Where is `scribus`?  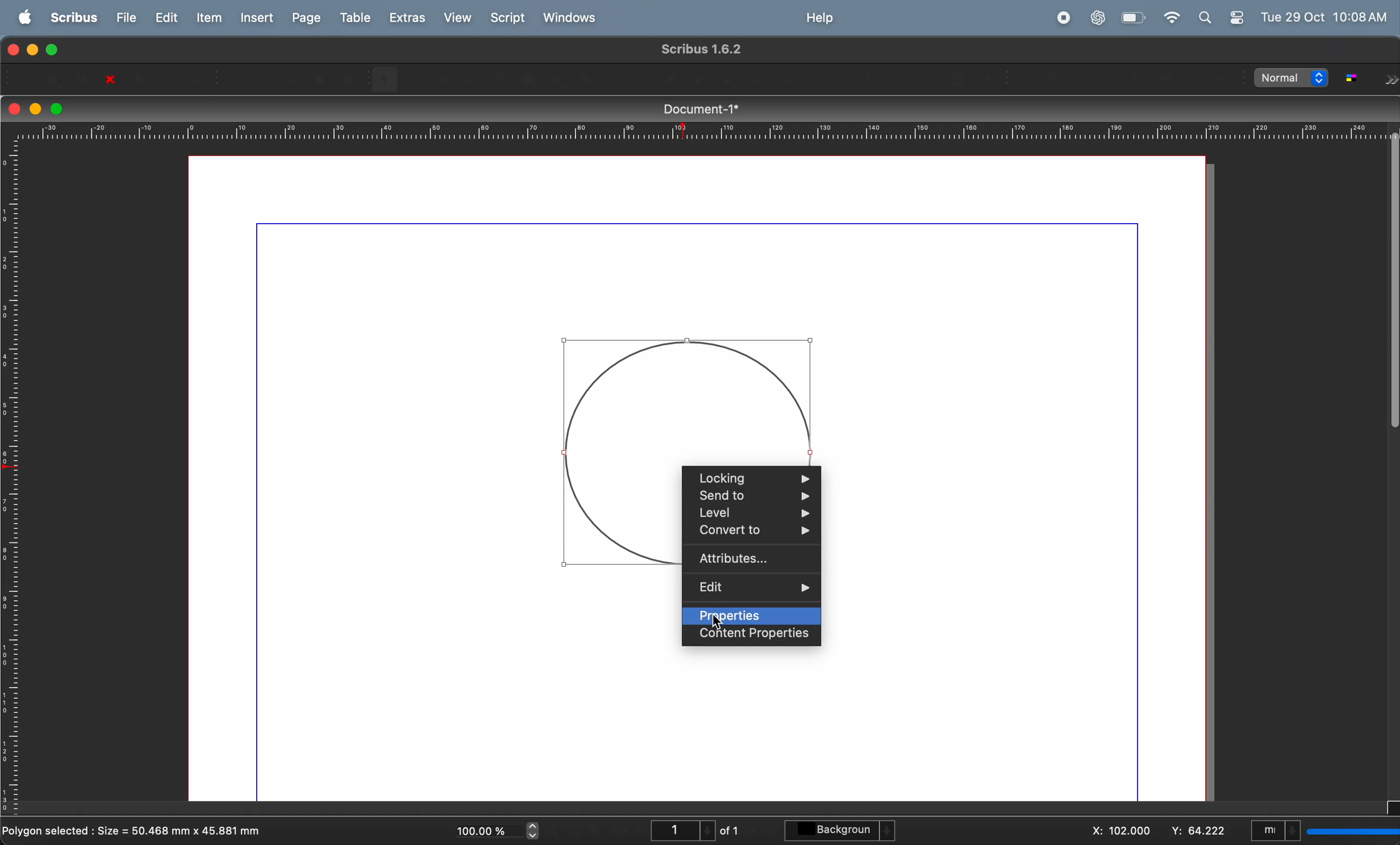 scribus is located at coordinates (70, 16).